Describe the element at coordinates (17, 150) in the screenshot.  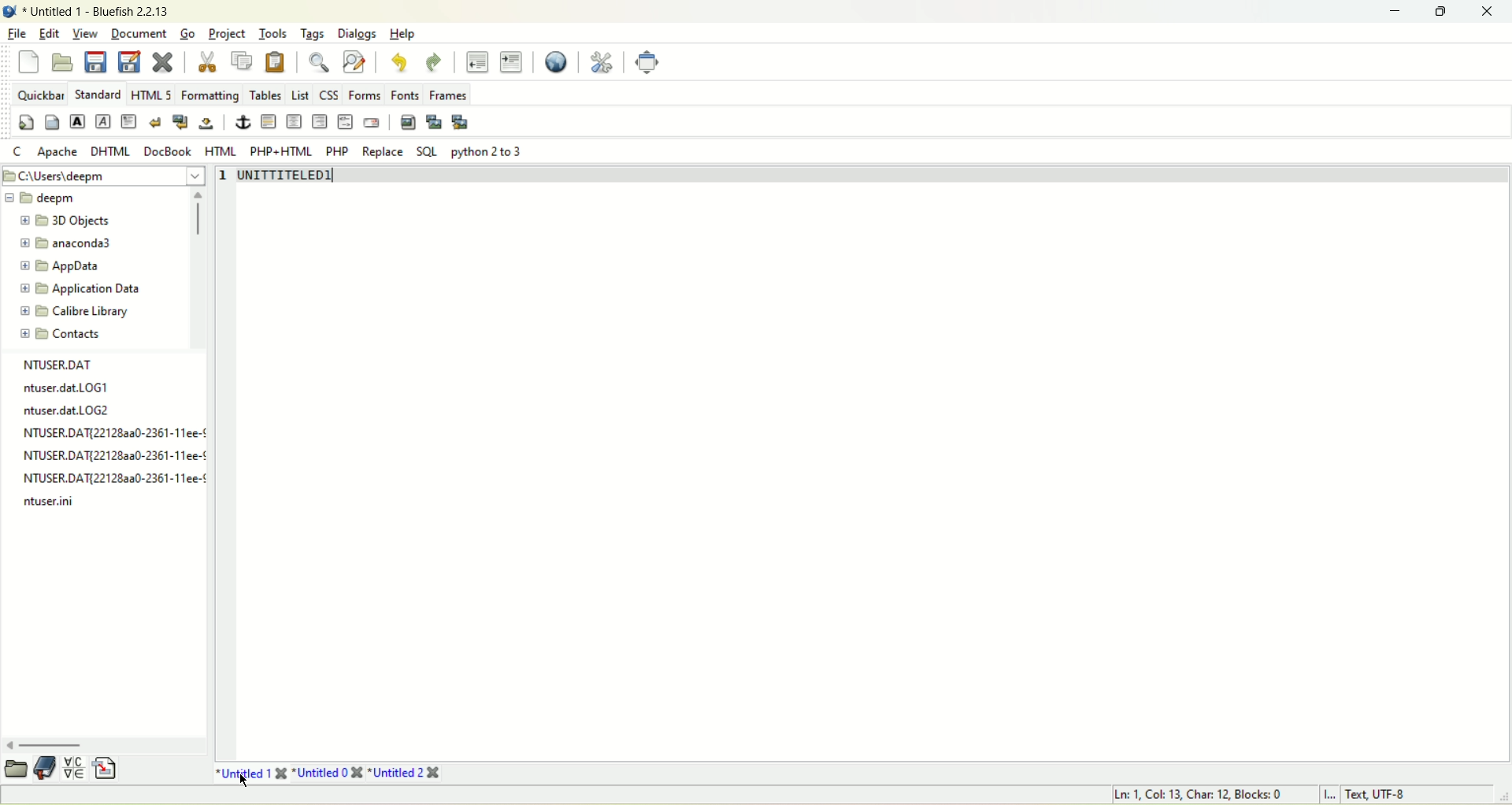
I see `Cc` at that location.